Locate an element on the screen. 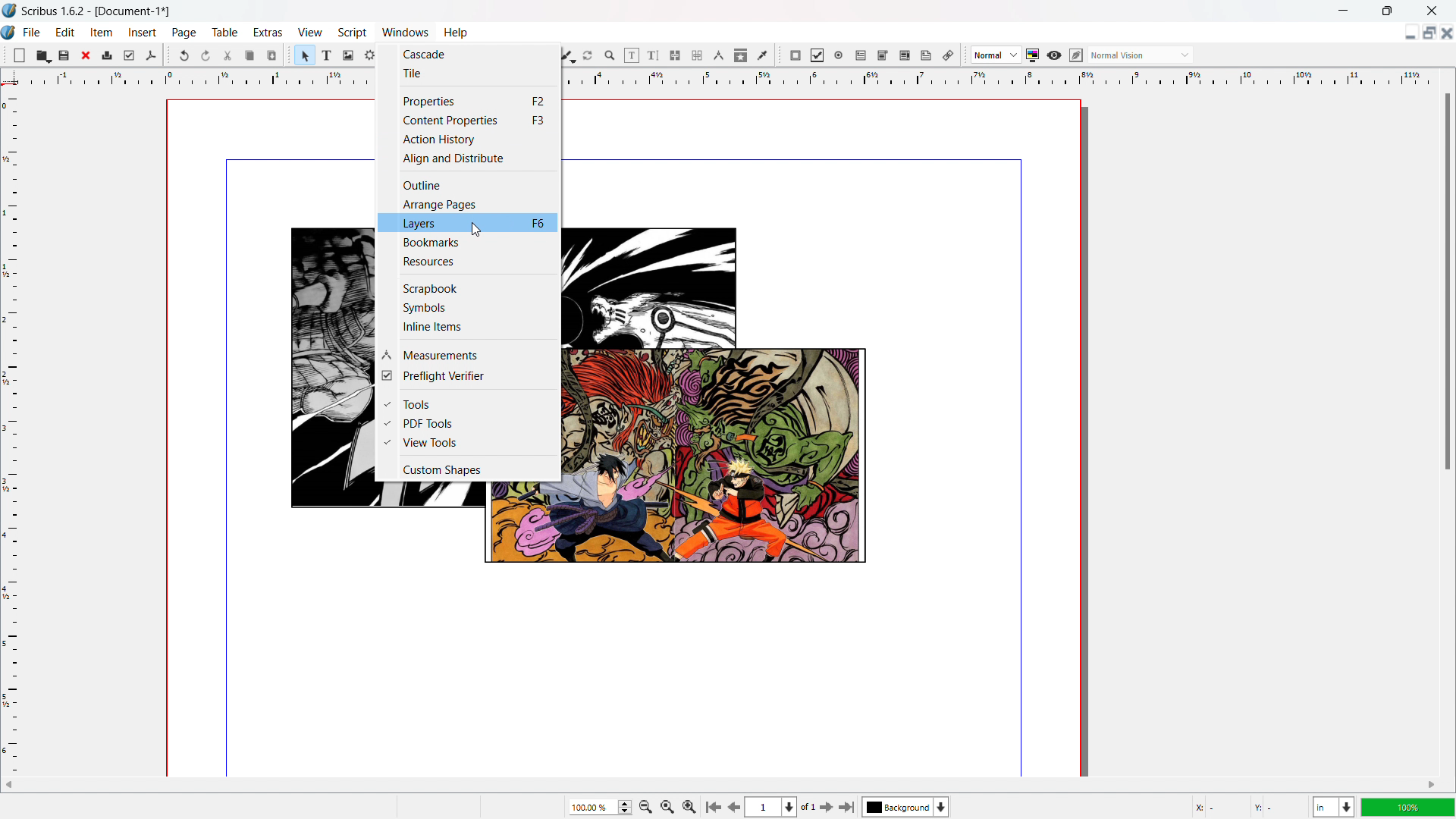 This screenshot has width=1456, height=819. zoom in or out is located at coordinates (610, 55).